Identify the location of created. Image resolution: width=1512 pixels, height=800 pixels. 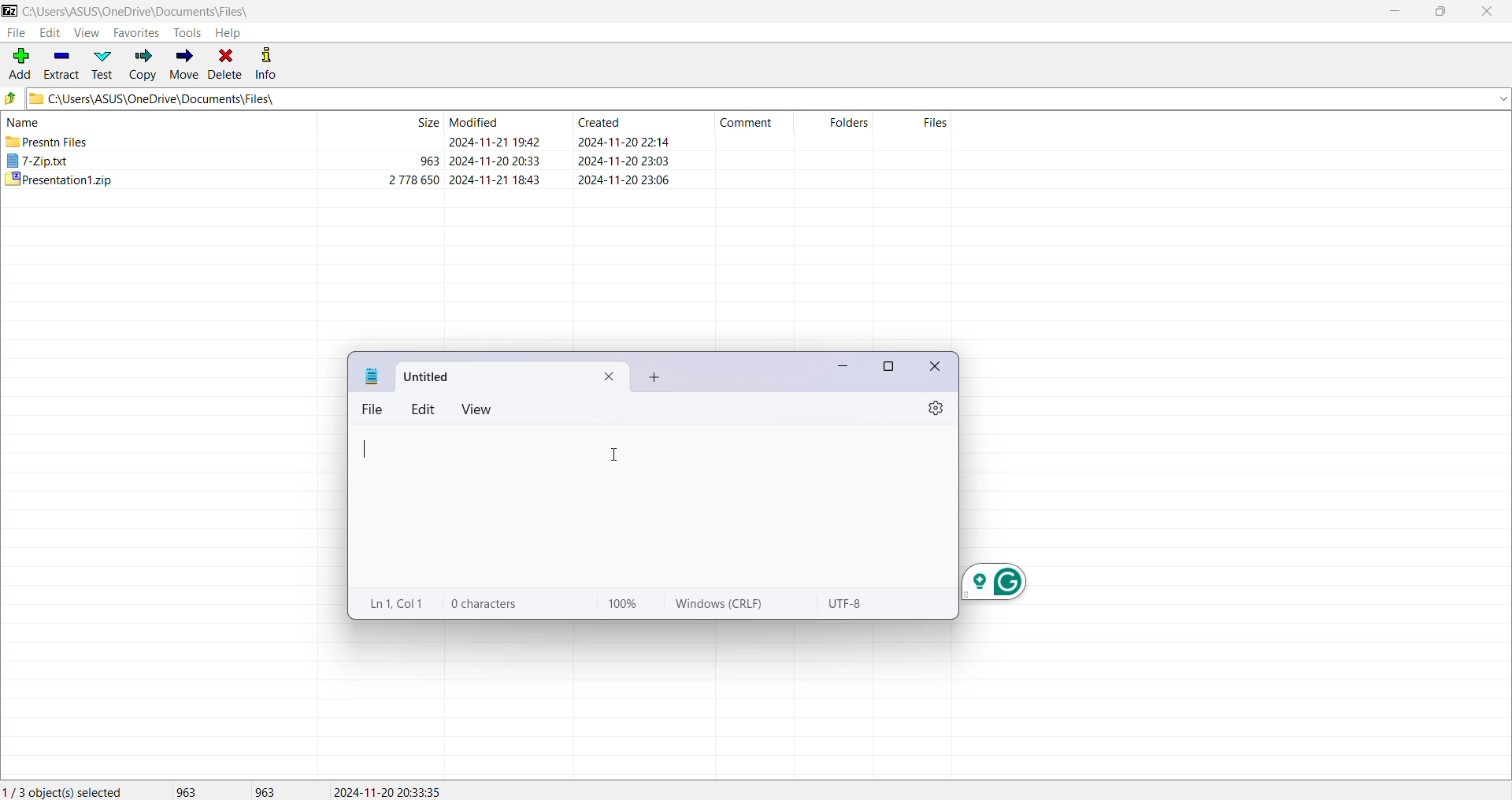
(598, 122).